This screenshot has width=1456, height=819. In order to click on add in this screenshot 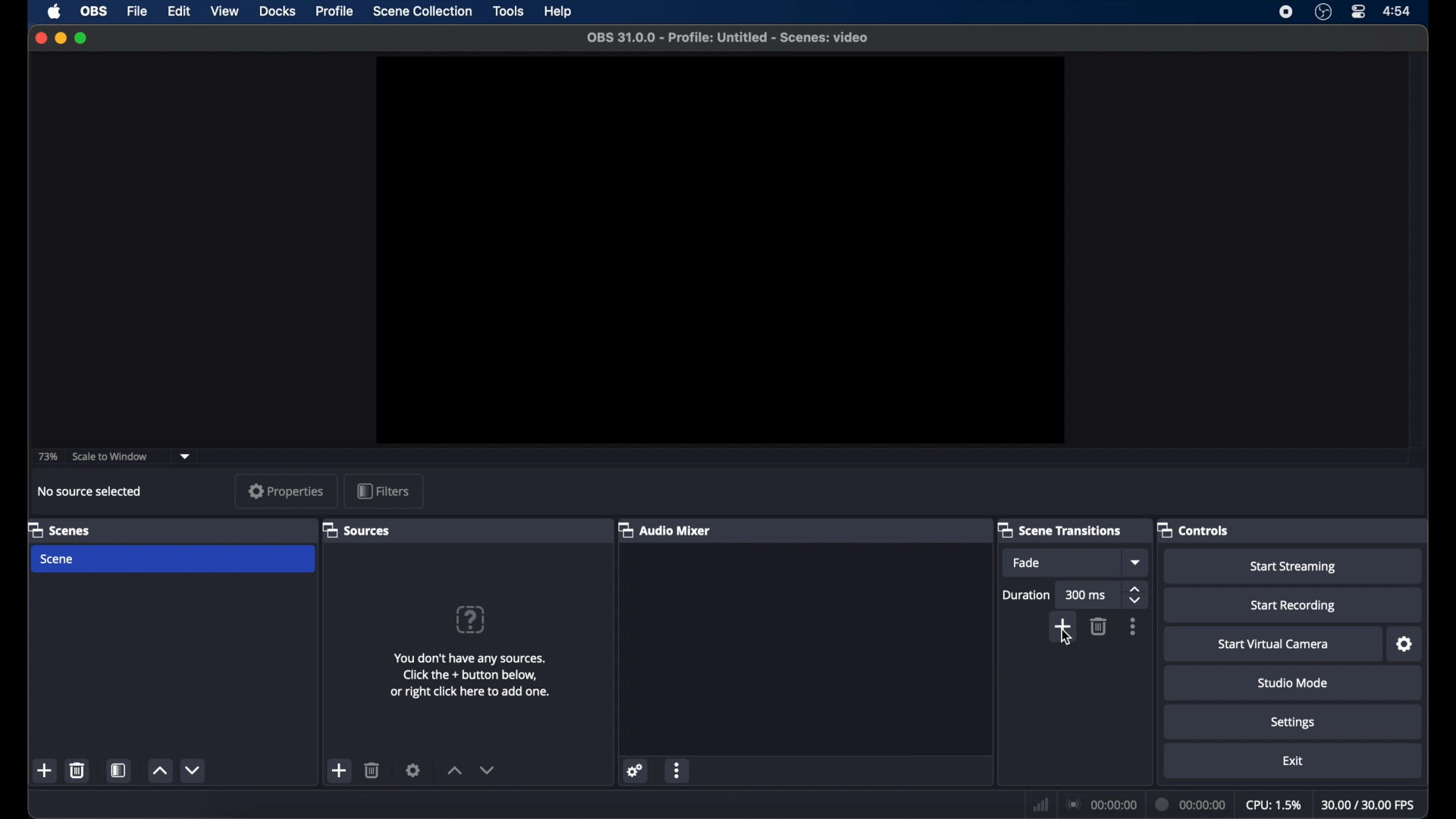, I will do `click(1062, 623)`.